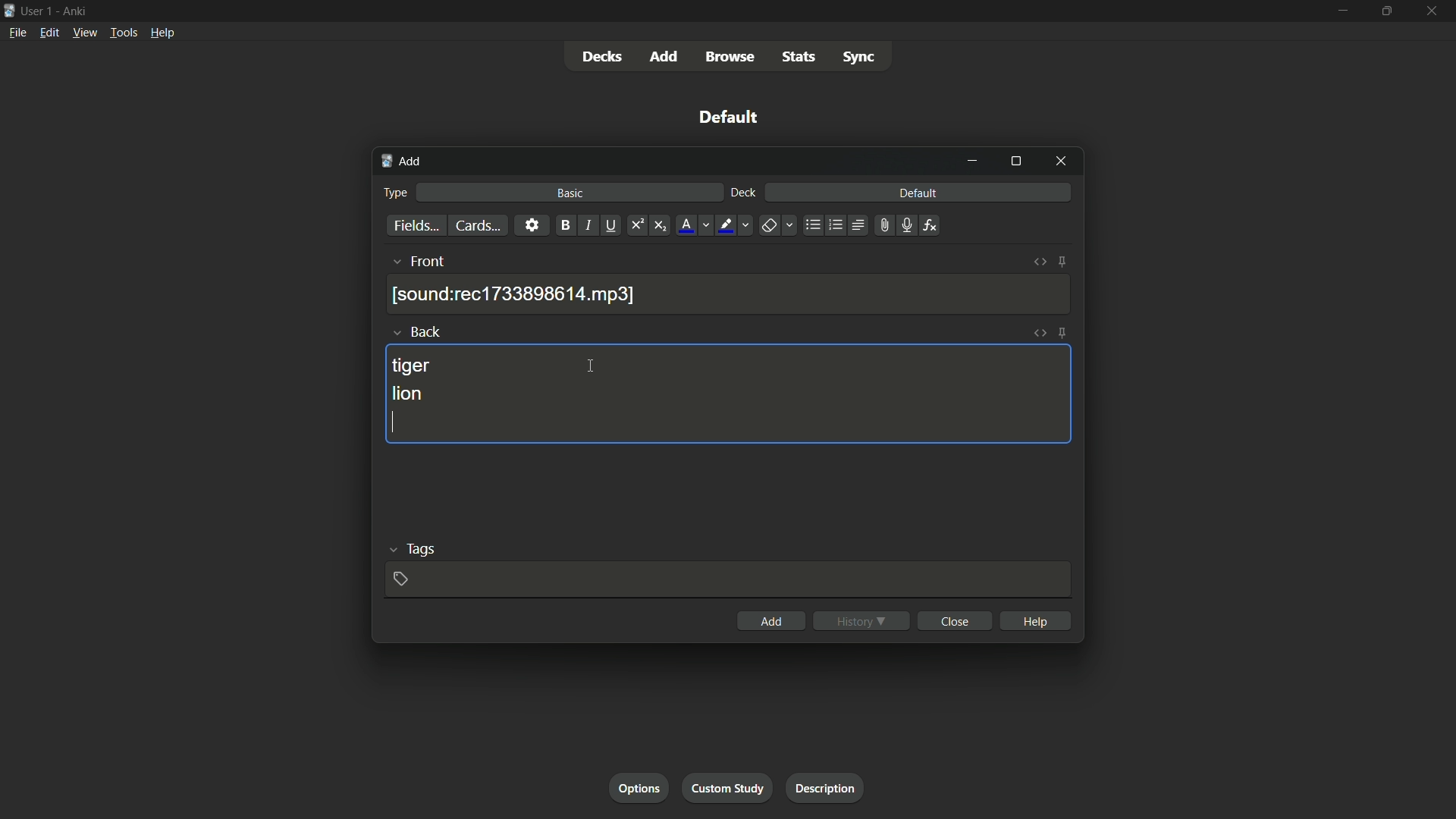 This screenshot has height=819, width=1456. What do you see at coordinates (570, 193) in the screenshot?
I see `basic` at bounding box center [570, 193].